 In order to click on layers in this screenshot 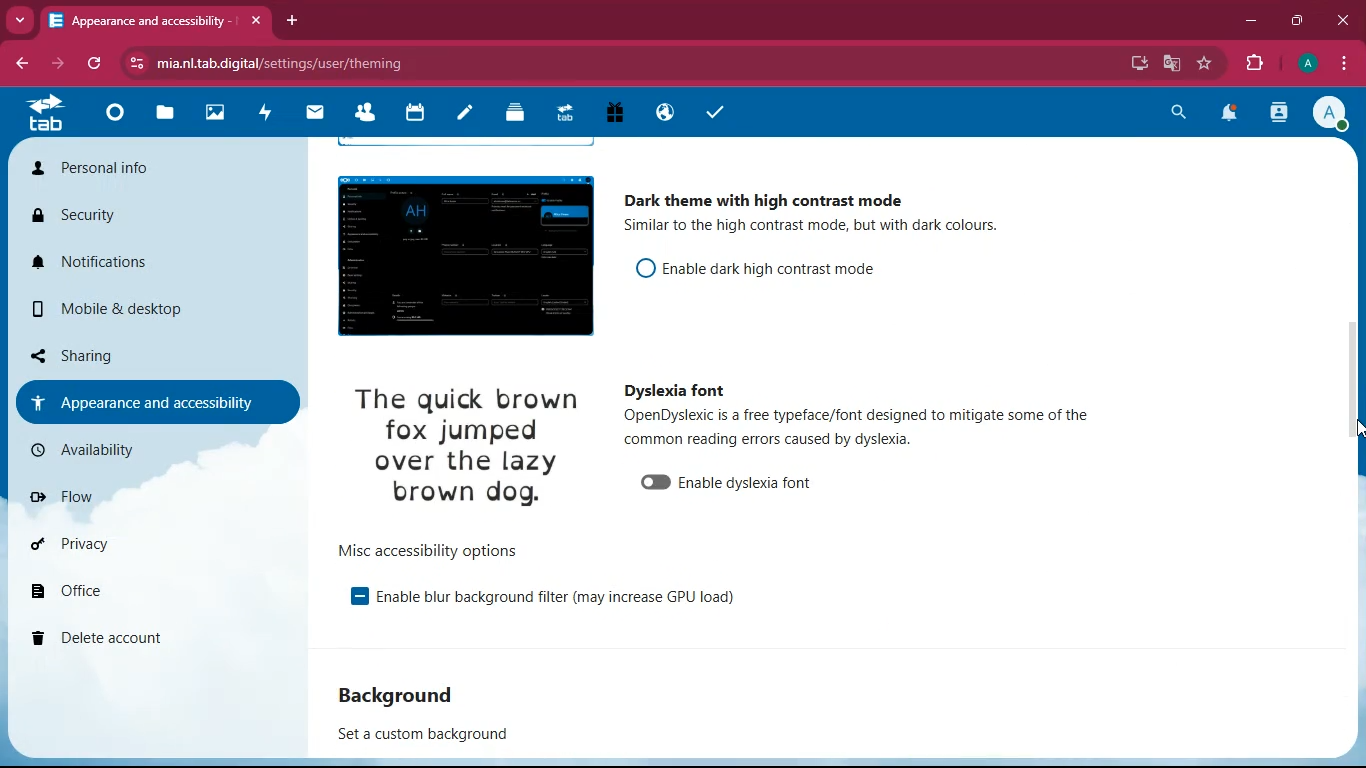, I will do `click(520, 114)`.